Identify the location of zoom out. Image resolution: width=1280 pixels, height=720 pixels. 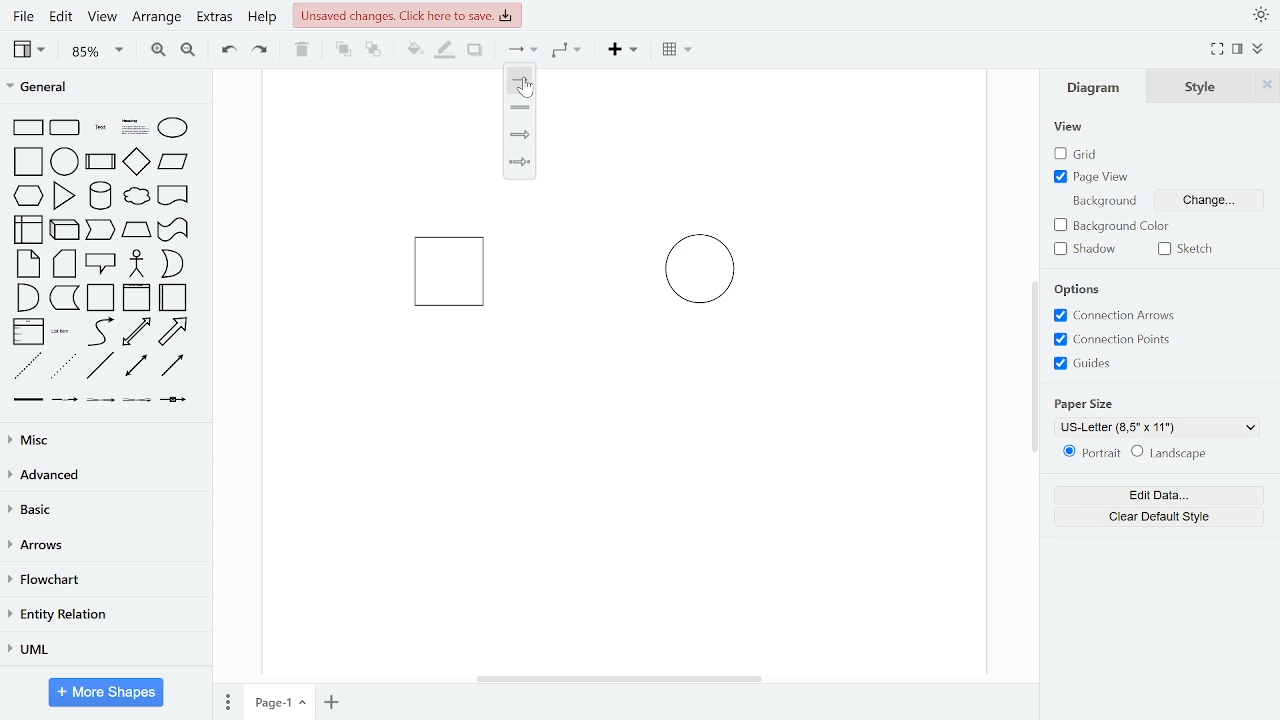
(187, 49).